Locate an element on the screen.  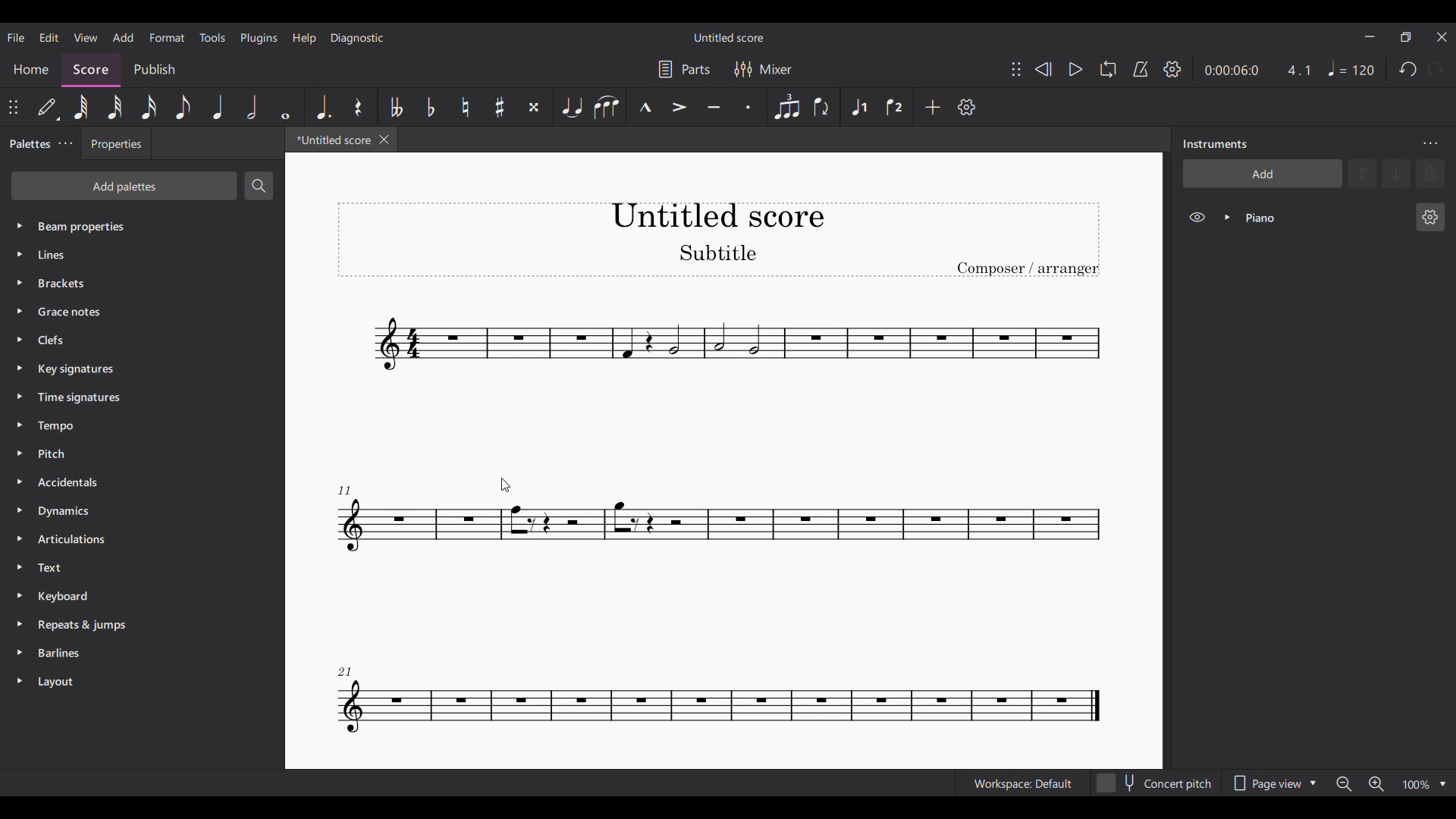
Tenuto is located at coordinates (714, 107).